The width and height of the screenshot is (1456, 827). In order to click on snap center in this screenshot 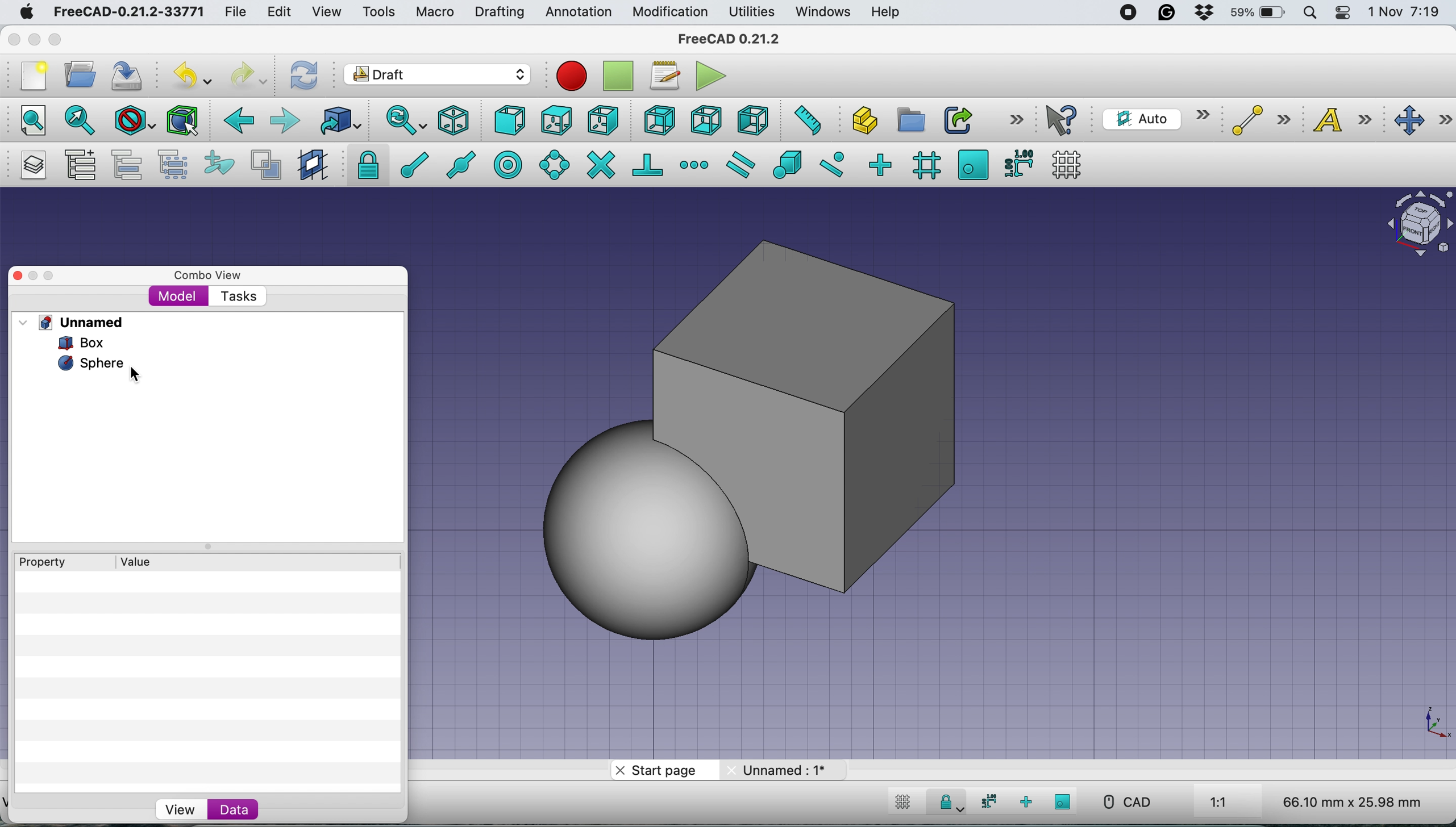, I will do `click(506, 164)`.